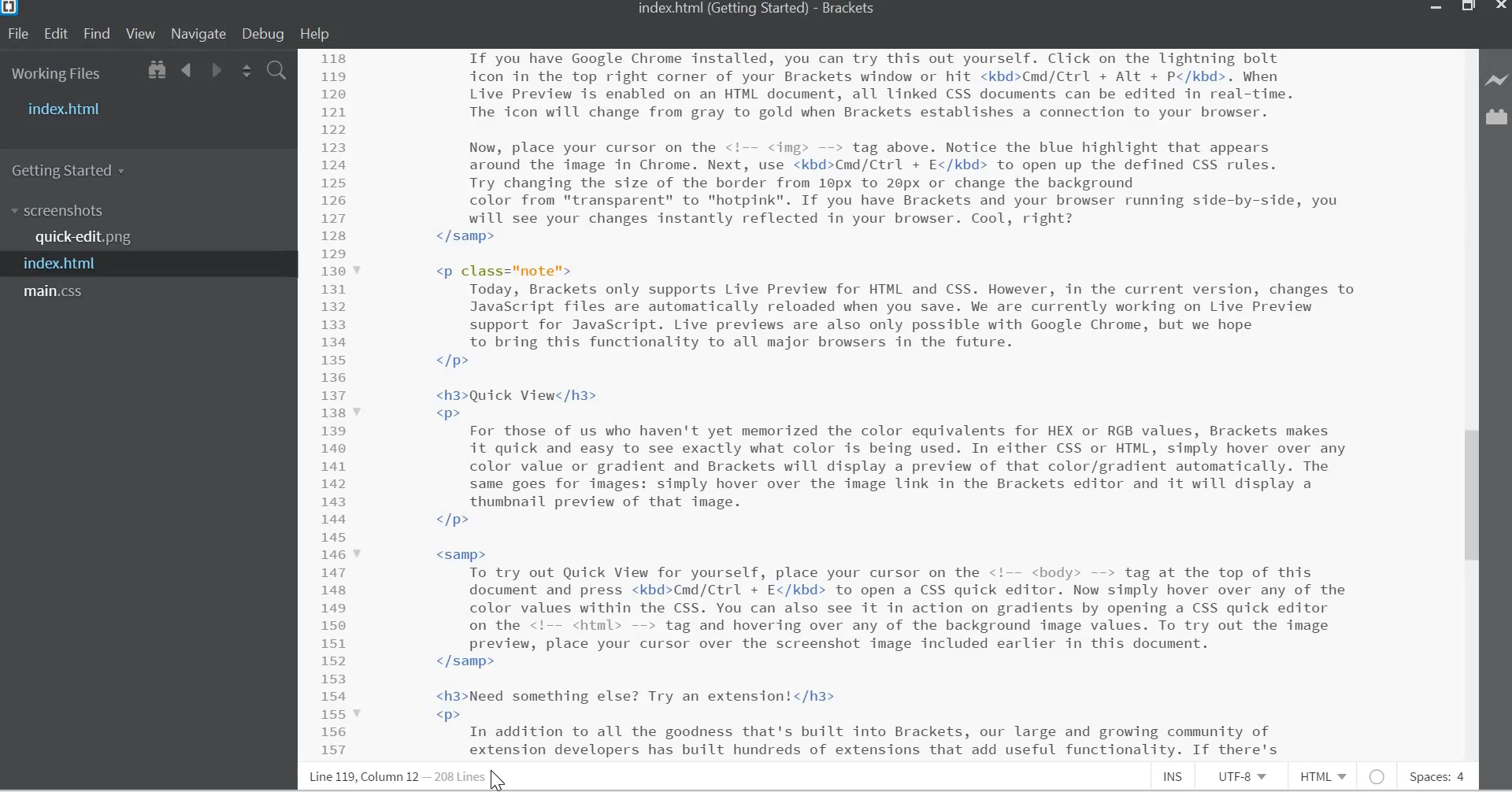  I want to click on Debug, so click(263, 36).